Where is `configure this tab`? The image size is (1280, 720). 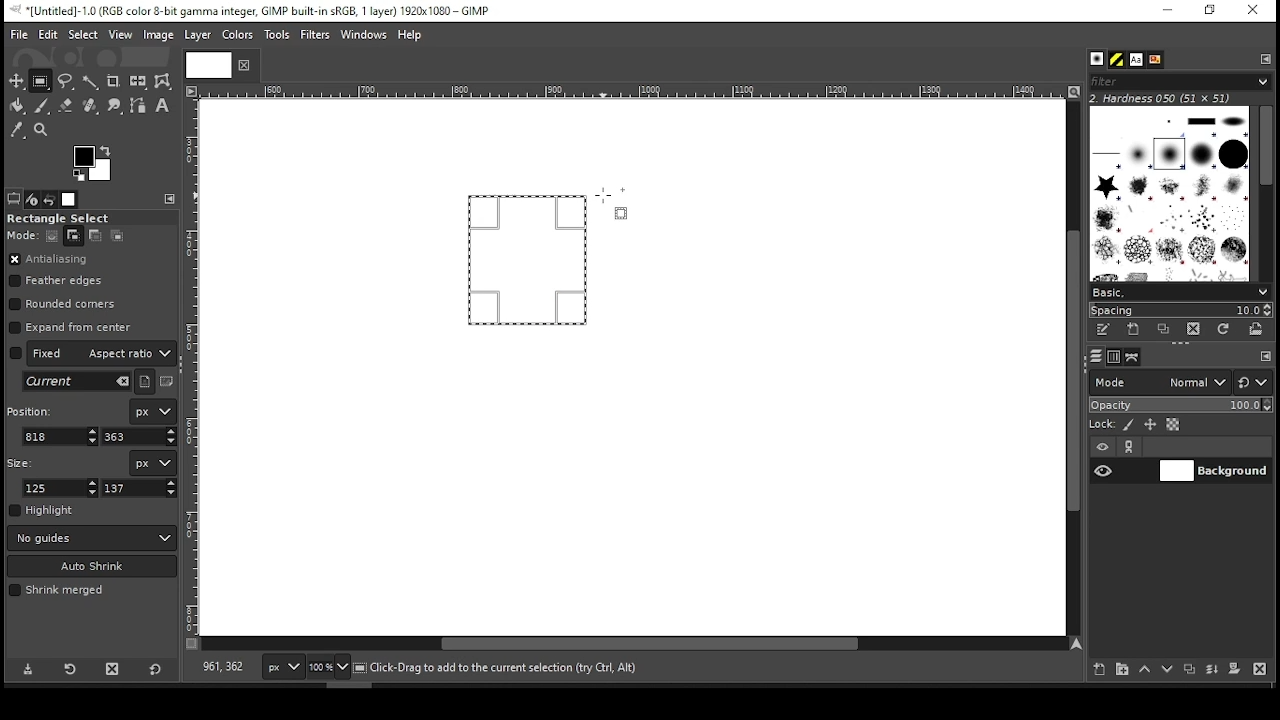 configure this tab is located at coordinates (1267, 58).